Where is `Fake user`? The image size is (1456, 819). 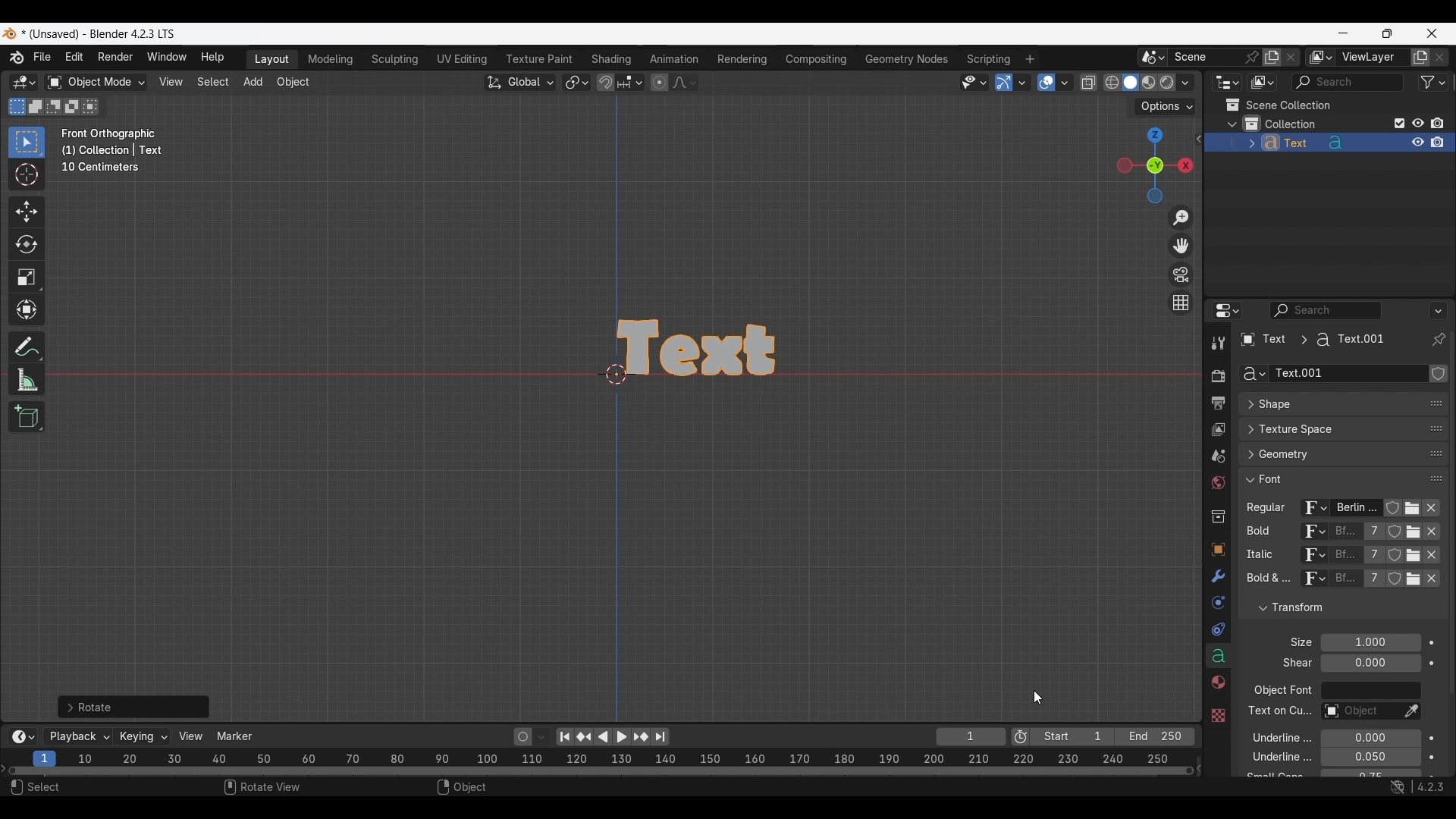
Fake user is located at coordinates (1439, 373).